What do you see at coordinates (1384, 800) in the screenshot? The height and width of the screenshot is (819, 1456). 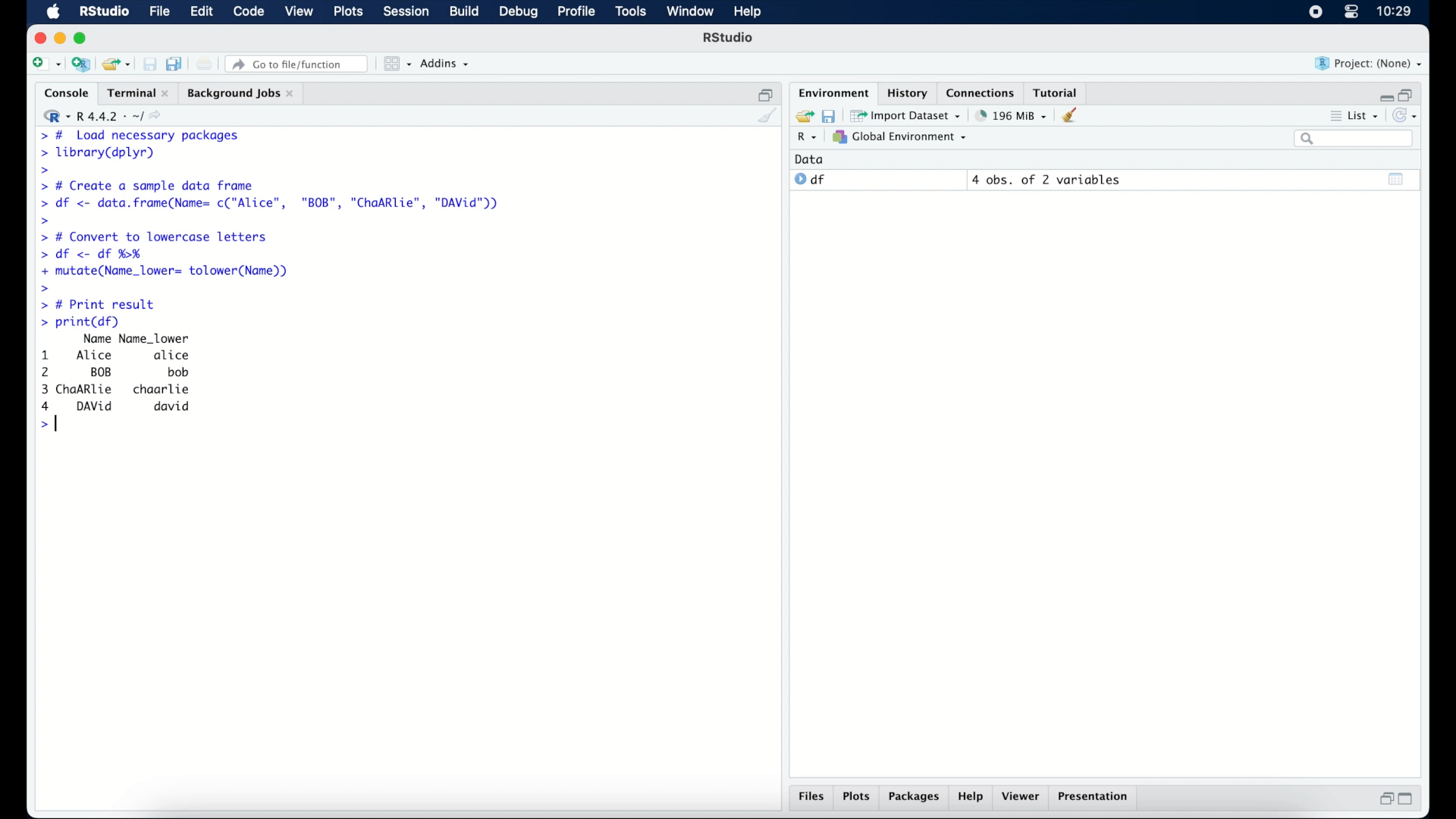 I see `restore down` at bounding box center [1384, 800].